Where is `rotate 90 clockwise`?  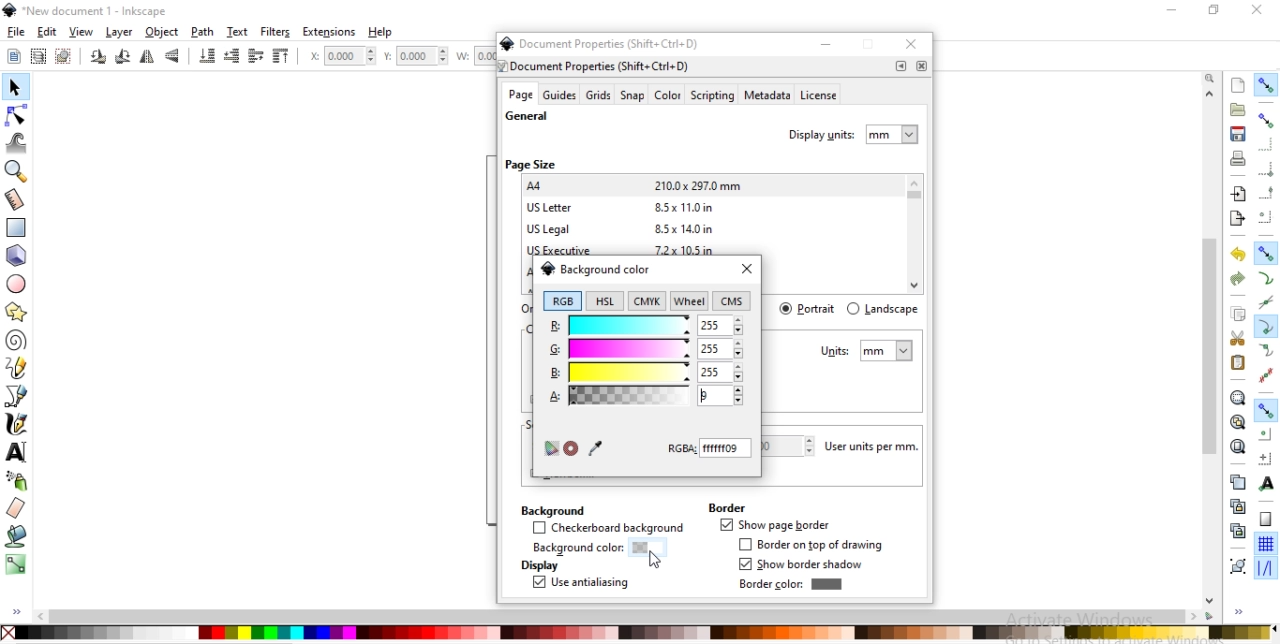
rotate 90 clockwise is located at coordinates (99, 58).